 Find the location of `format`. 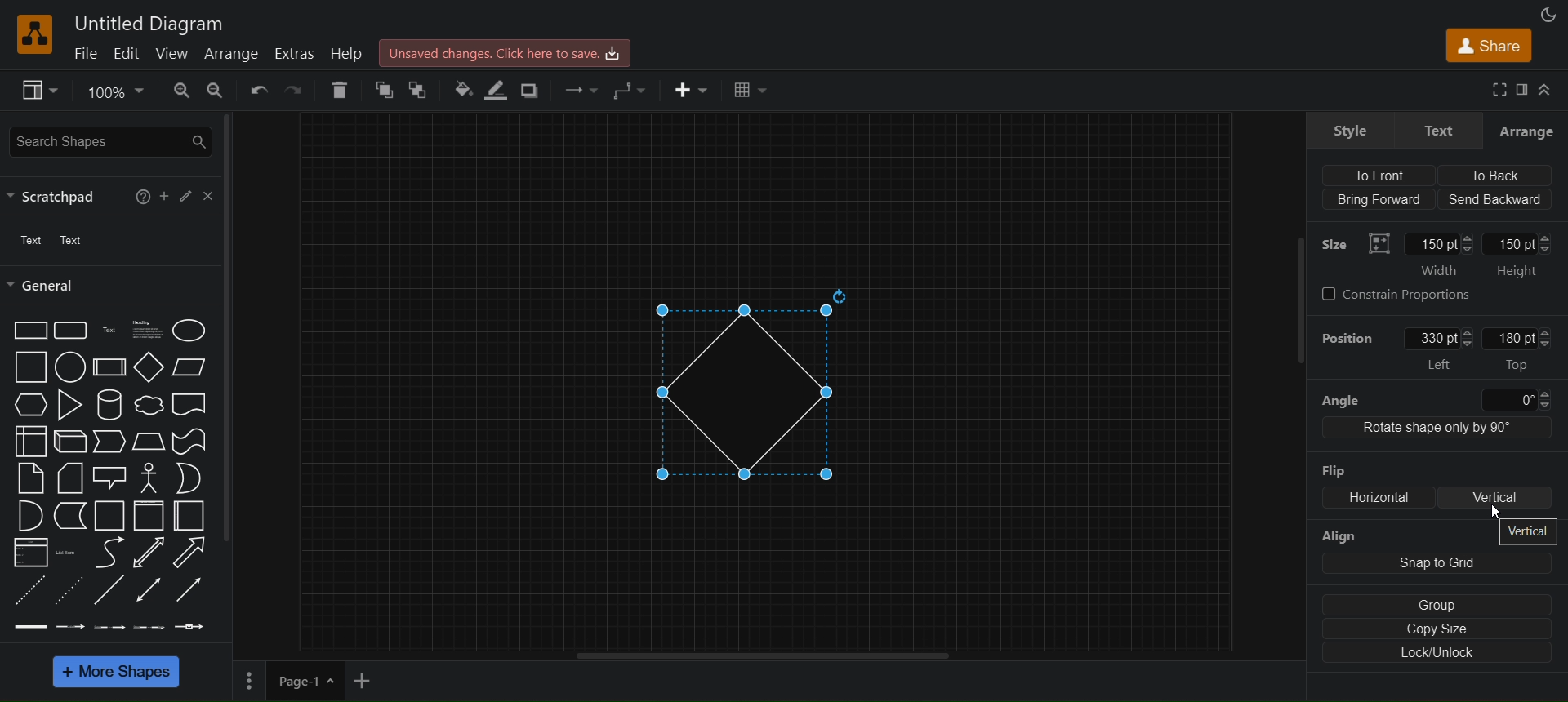

format is located at coordinates (1525, 89).